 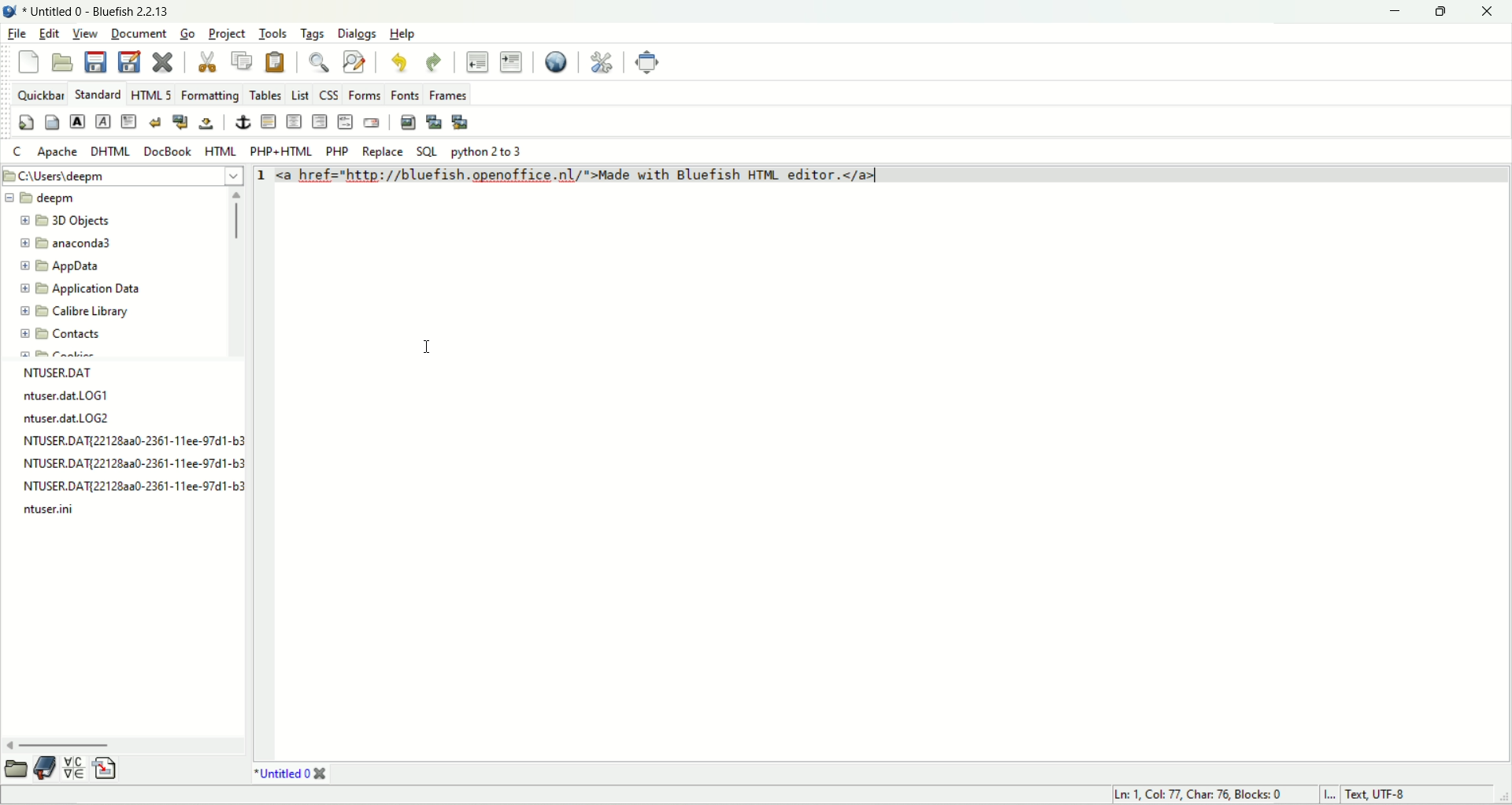 What do you see at coordinates (106, 124) in the screenshot?
I see `emphasize` at bounding box center [106, 124].